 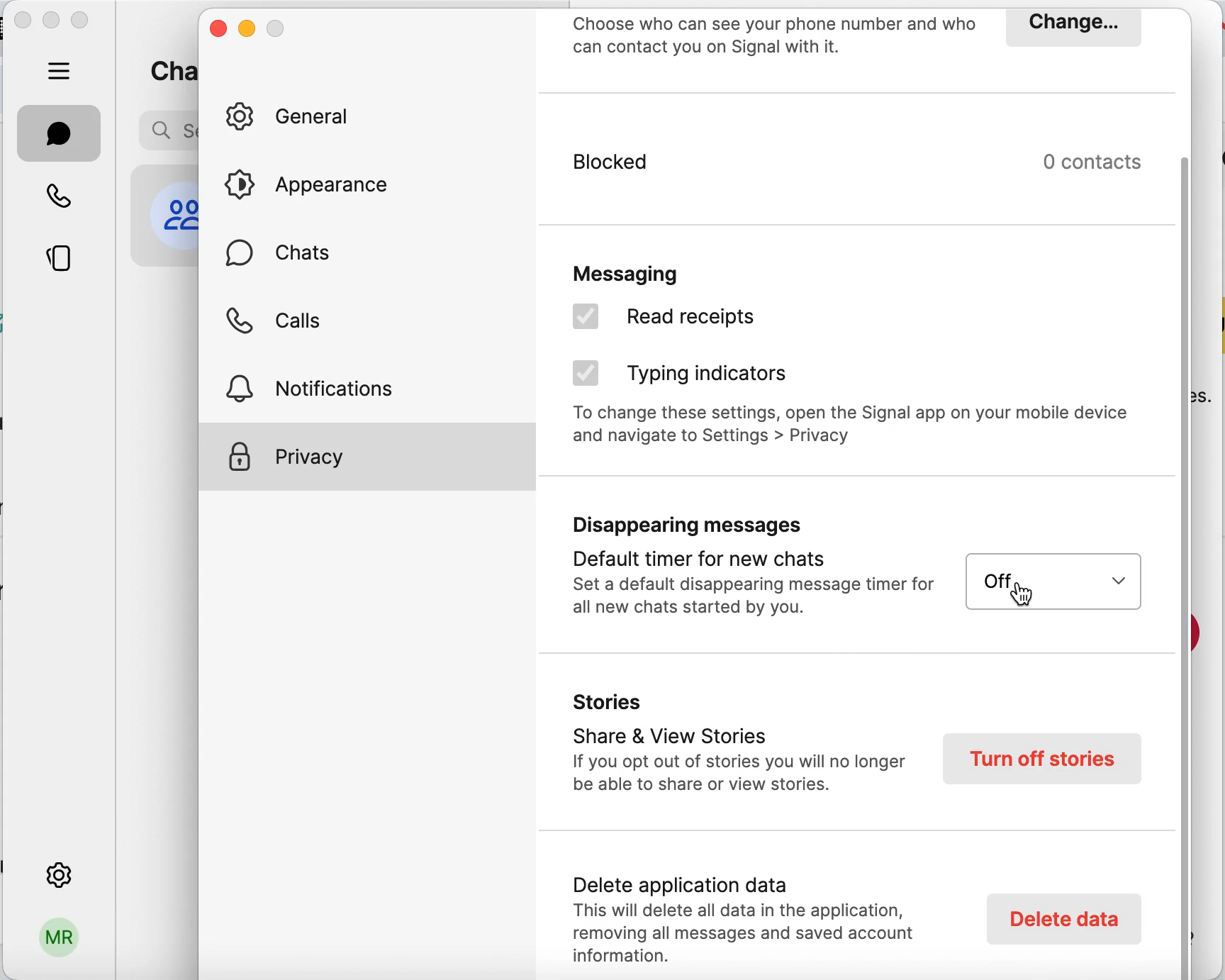 What do you see at coordinates (367, 457) in the screenshot?
I see `privacy` at bounding box center [367, 457].